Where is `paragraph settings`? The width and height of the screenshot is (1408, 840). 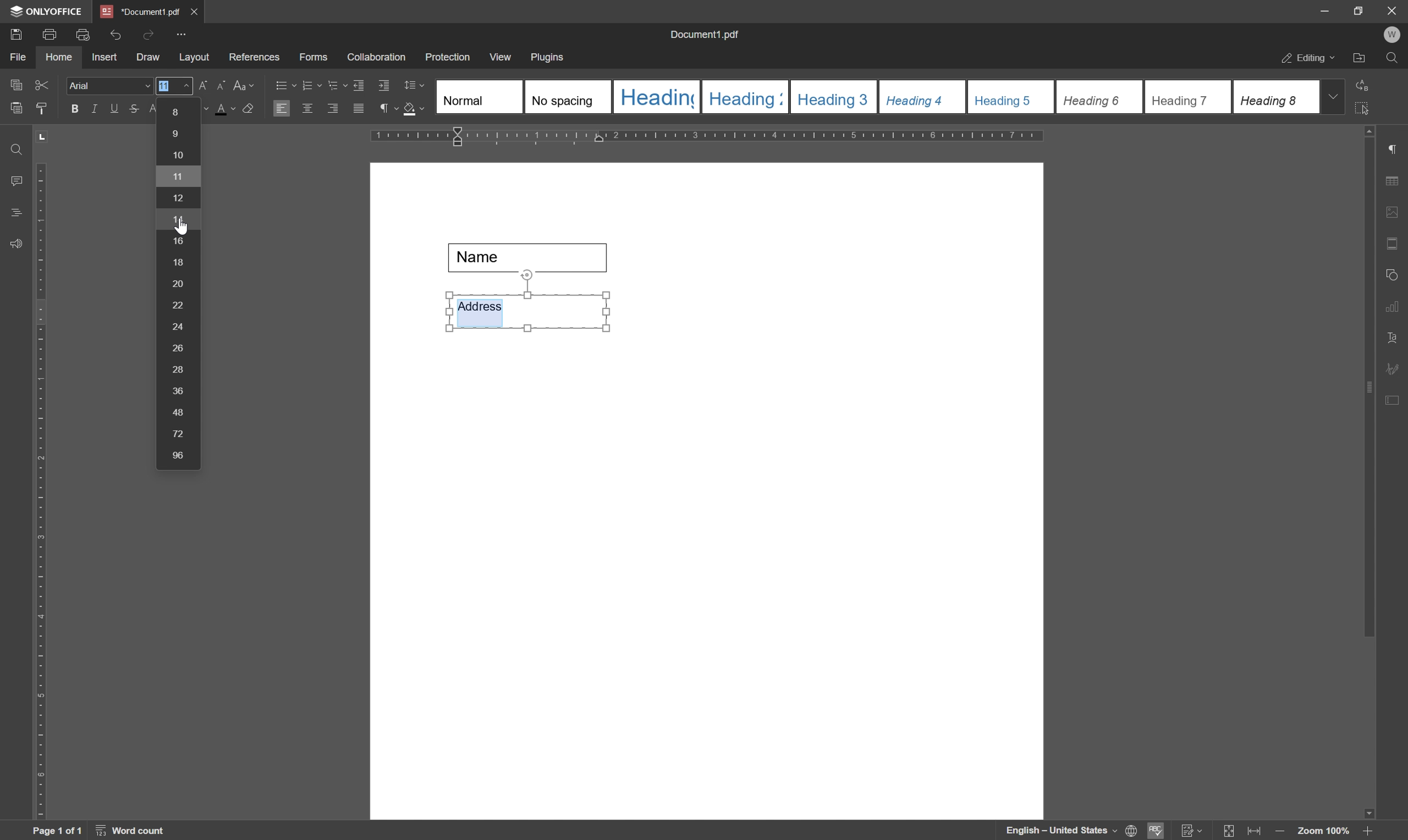
paragraph settings is located at coordinates (1398, 149).